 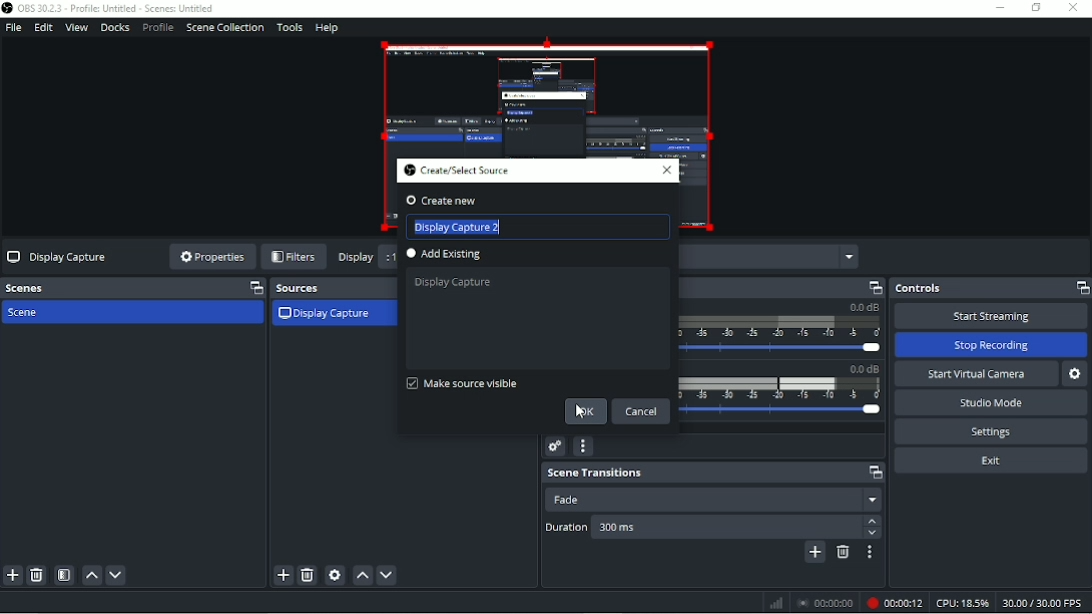 What do you see at coordinates (460, 382) in the screenshot?
I see `Make source visible` at bounding box center [460, 382].